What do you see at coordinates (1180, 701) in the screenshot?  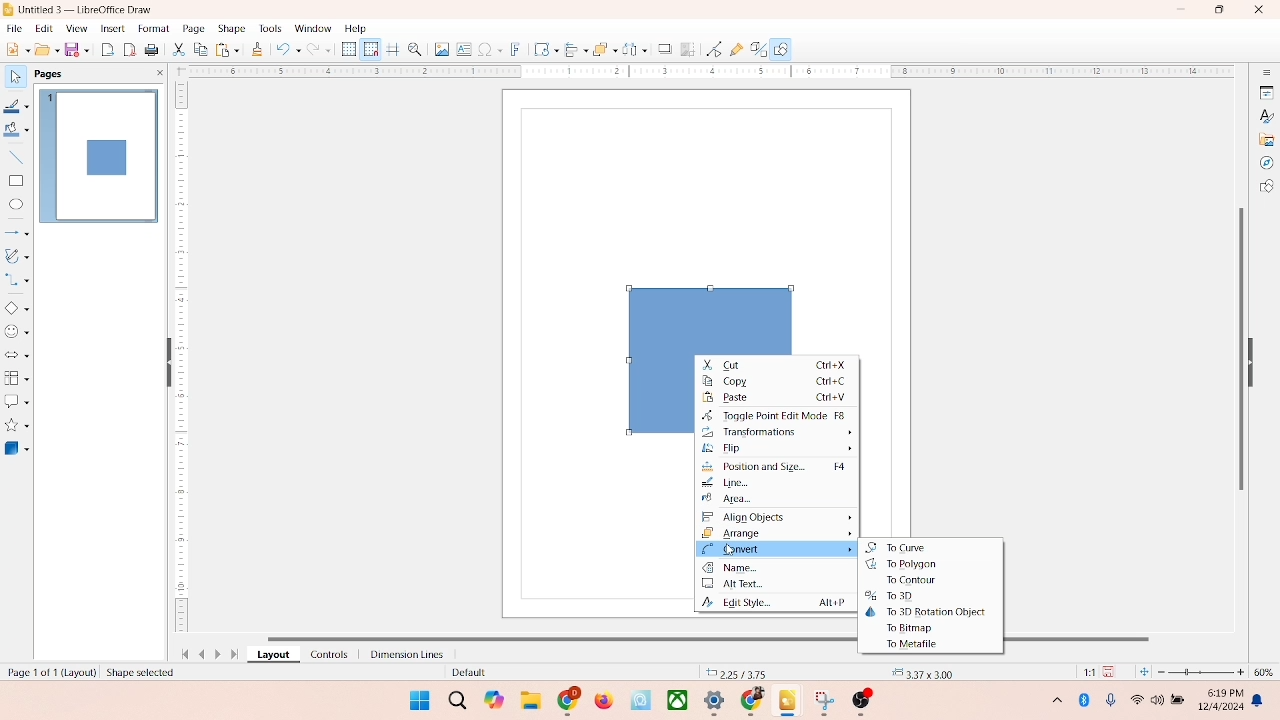 I see `battery` at bounding box center [1180, 701].